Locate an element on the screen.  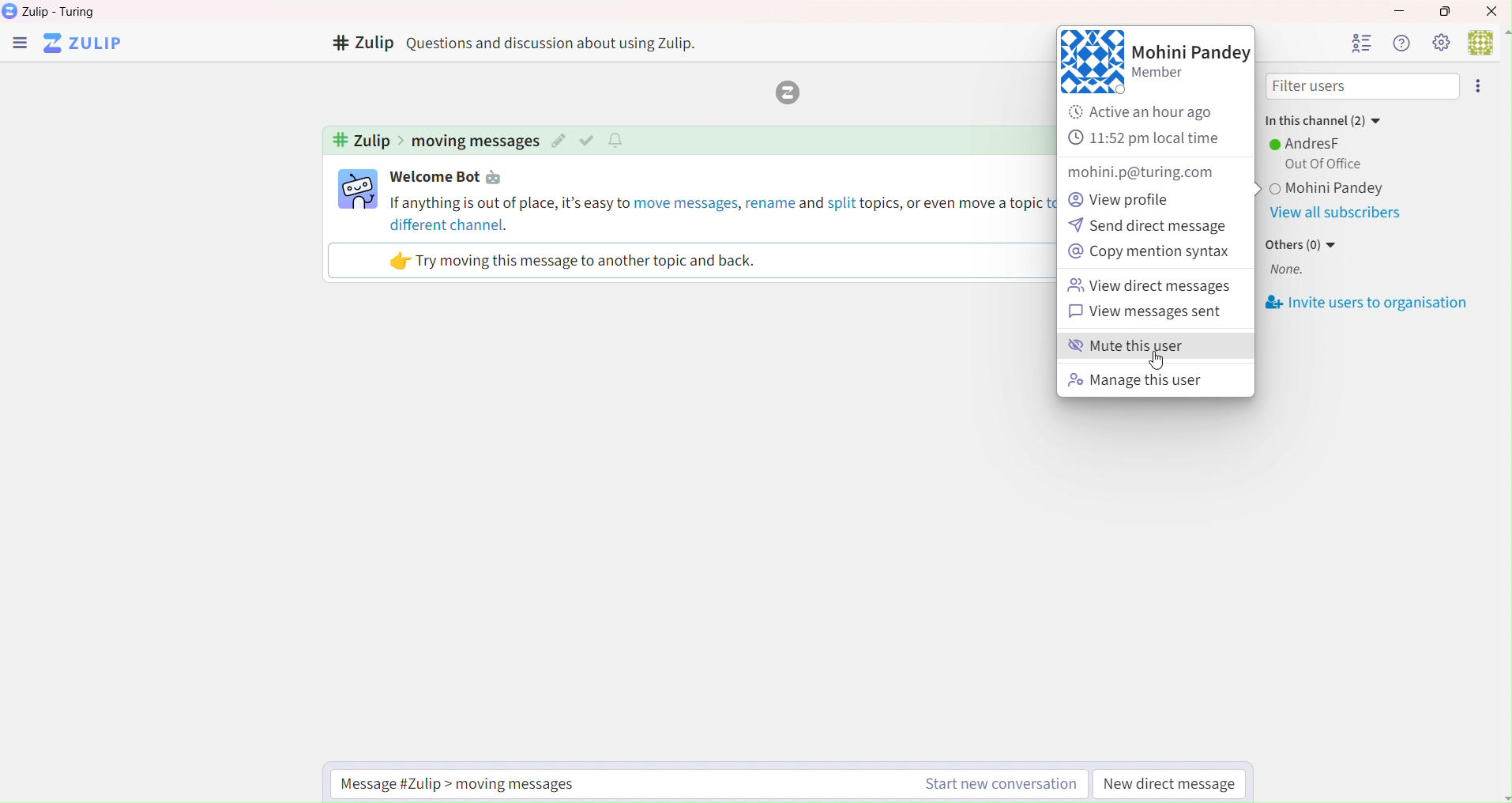
New Direct Message is located at coordinates (1171, 786).